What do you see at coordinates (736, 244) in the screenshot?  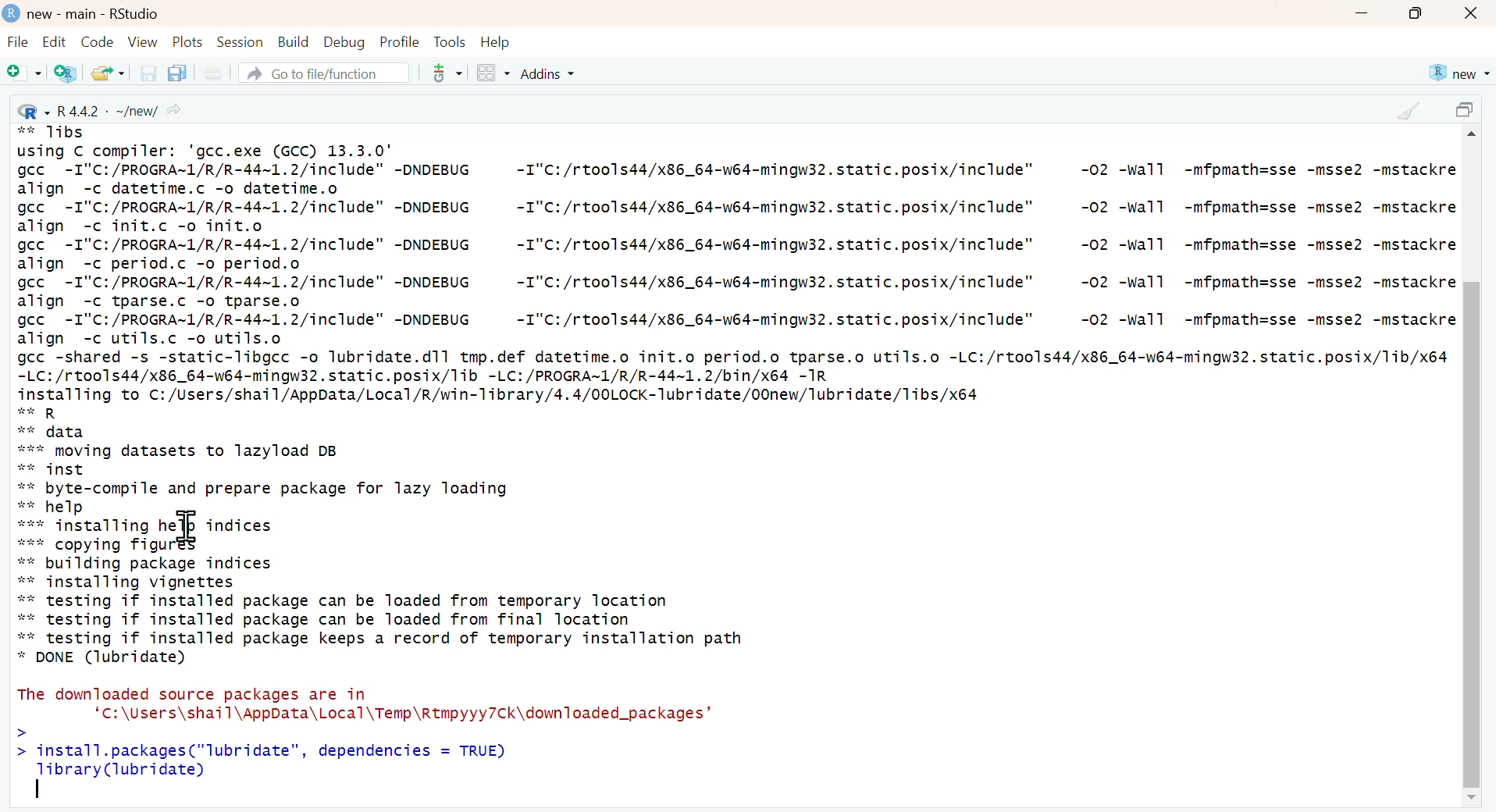 I see `using C compiler: 'gcc.exe (GCC) 13.3.0°

gcc -I"C:/PROGRA~1/R/R-44~1.2/include" -DNDEBUG -I"C:/rtools44/x86_64-w64-mingw32.static.posix/include"” -02 -wall -mfpmath=sse -msse2 -mstackre
align -c datetime.c -o datetime.o

gcc -I"C:/PROGRA~1/R/R-44~1.2/include" -DNDEBUG -I"C:/rtools44/x86_64-w64-mingw32.static.posix/include"” -02 -wall -mfpmath=sse -msse2 -mstackre
align -c init.c -o init.o

gcc -I"C:/PROGRA~1/R/R-44~1.2/include" -DNDEBUG -I"C:/rtools44/x86_64-w64-mingw32.static.posix/include"” -02 -wall -mfpmath=sse -msse2 -mstackre
align -c period.c -o period.o

gcc -I"C:/PROGRA~1/R/R-44~1.2/include" -DNDEBUG -I"C:/rtools44/x86_64-w64-mingw32.static.posix/include"” -02 -wall -mfpmath=sse -msse2 -mstackre
align -c tparse.c -o tparse.o

gcc -I"C:/PROGRA~1/R/R-44~1.2/include"” -DNDEBUG -I"C:/rtools44/x86_64-w64-mingw32.static.posix/include"” -02 -wall -mfpmath=sse -msse2 -mstackre
align -c utils.c -o utils.o` at bounding box center [736, 244].